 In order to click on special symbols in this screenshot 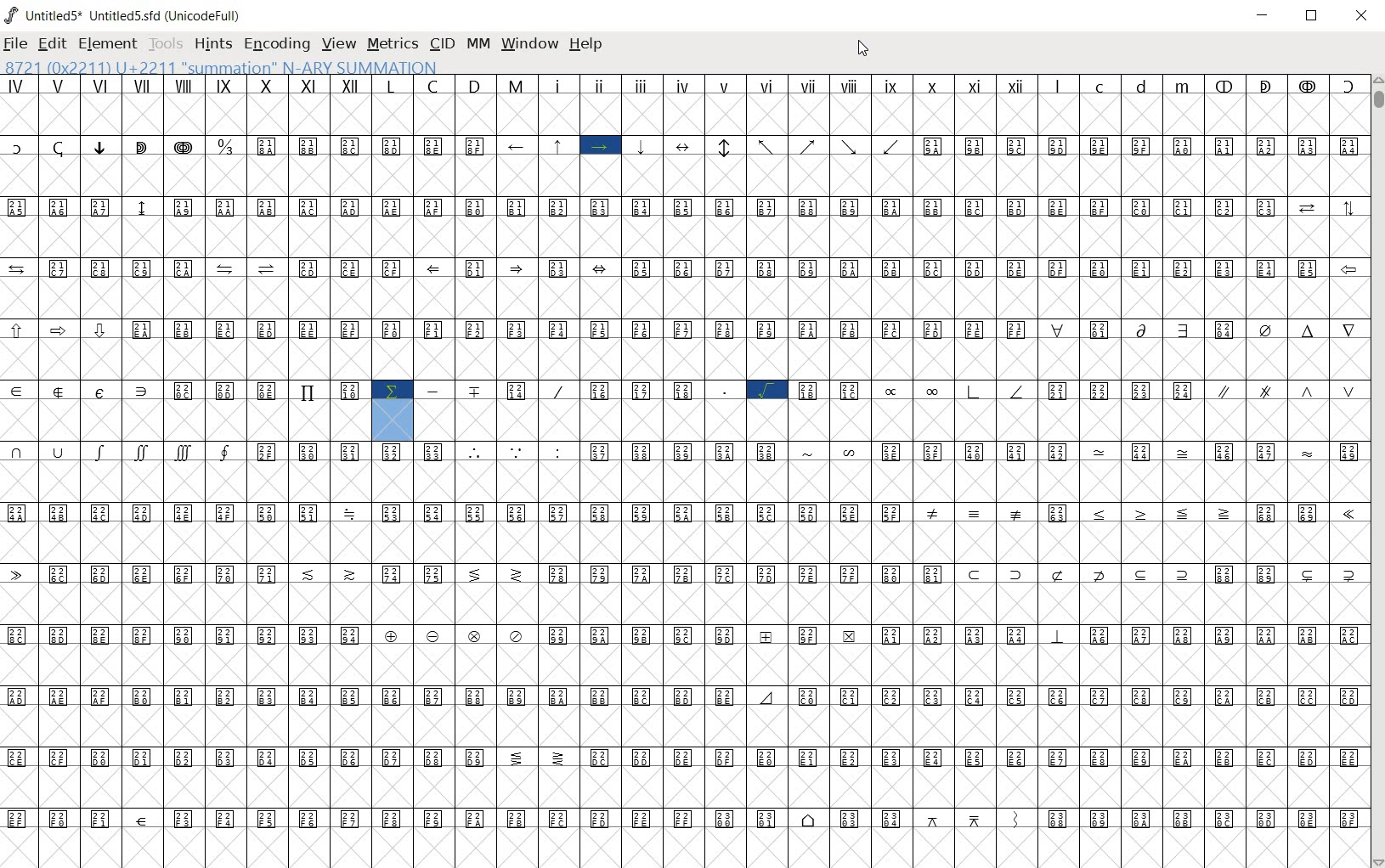, I will do `click(690, 696)`.